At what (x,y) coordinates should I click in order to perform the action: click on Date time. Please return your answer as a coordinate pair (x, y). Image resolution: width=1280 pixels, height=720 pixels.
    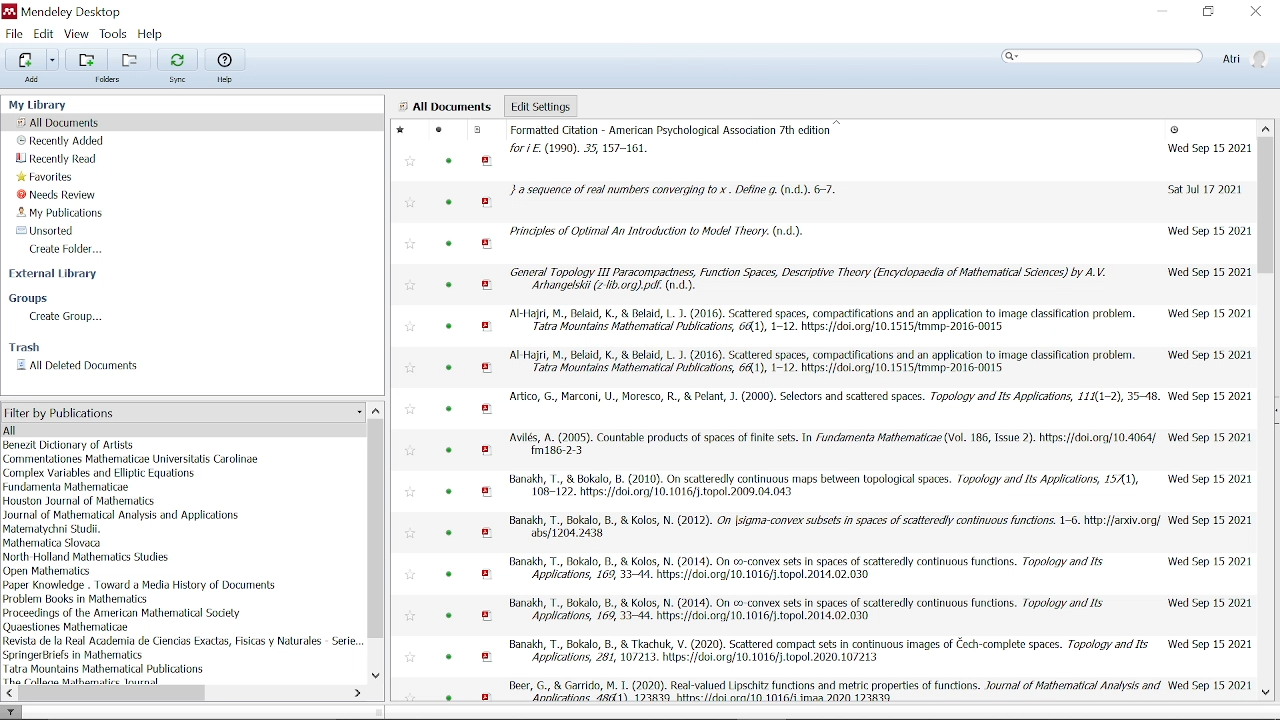
    Looking at the image, I should click on (1208, 313).